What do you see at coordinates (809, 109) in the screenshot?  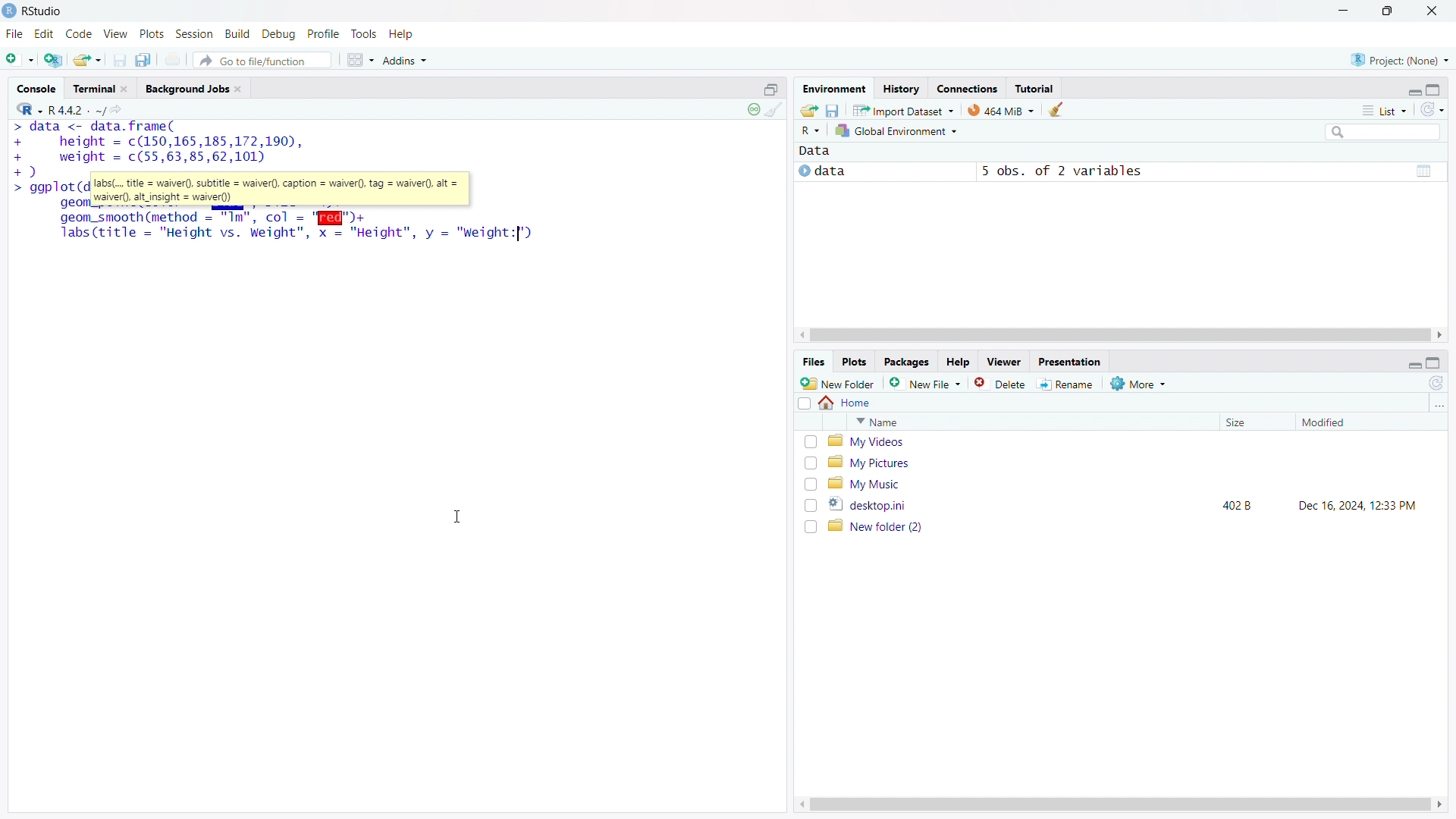 I see `load workspace` at bounding box center [809, 109].